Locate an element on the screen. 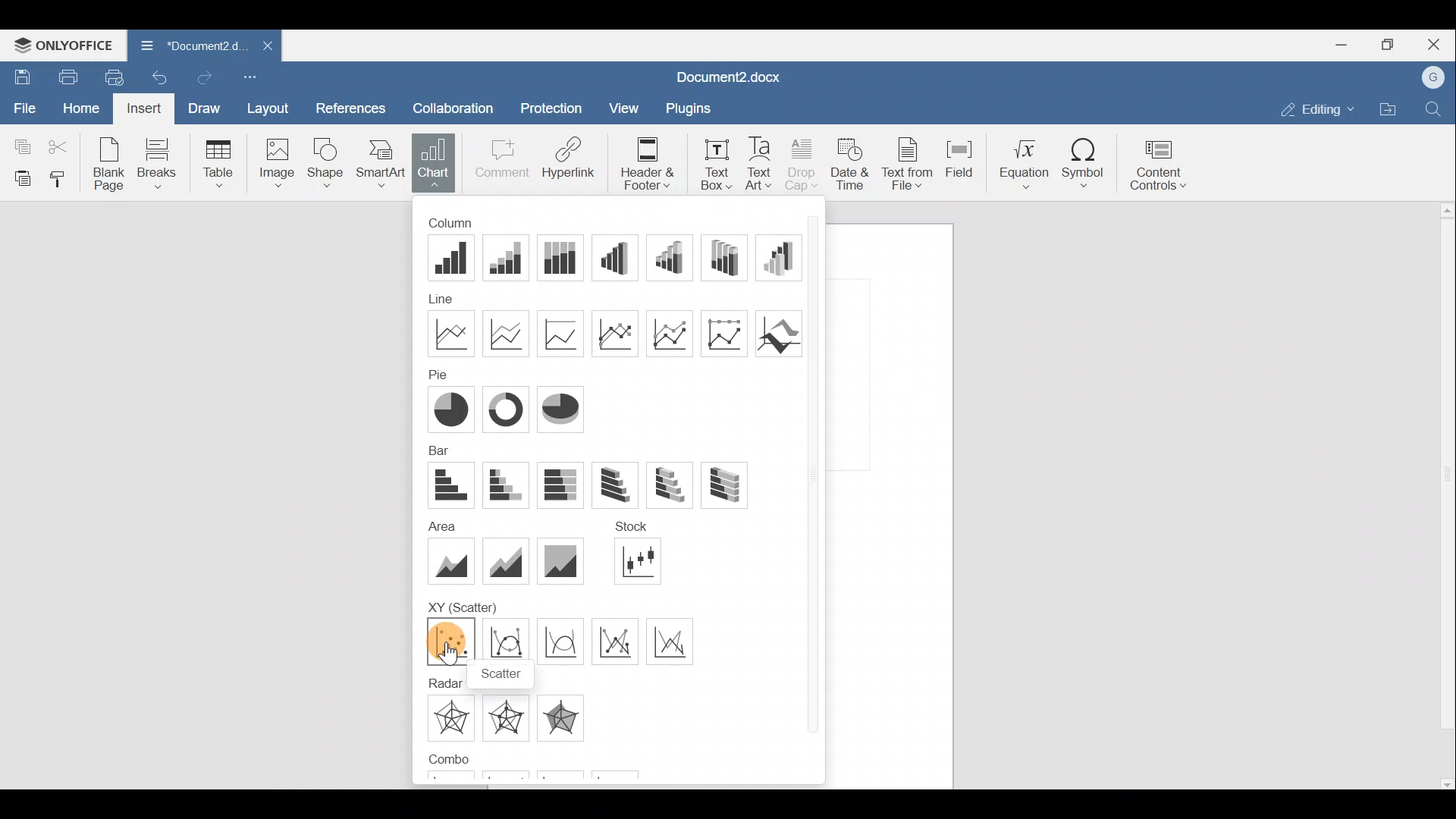 This screenshot has width=1456, height=819. 3-D stacked bar is located at coordinates (675, 485).